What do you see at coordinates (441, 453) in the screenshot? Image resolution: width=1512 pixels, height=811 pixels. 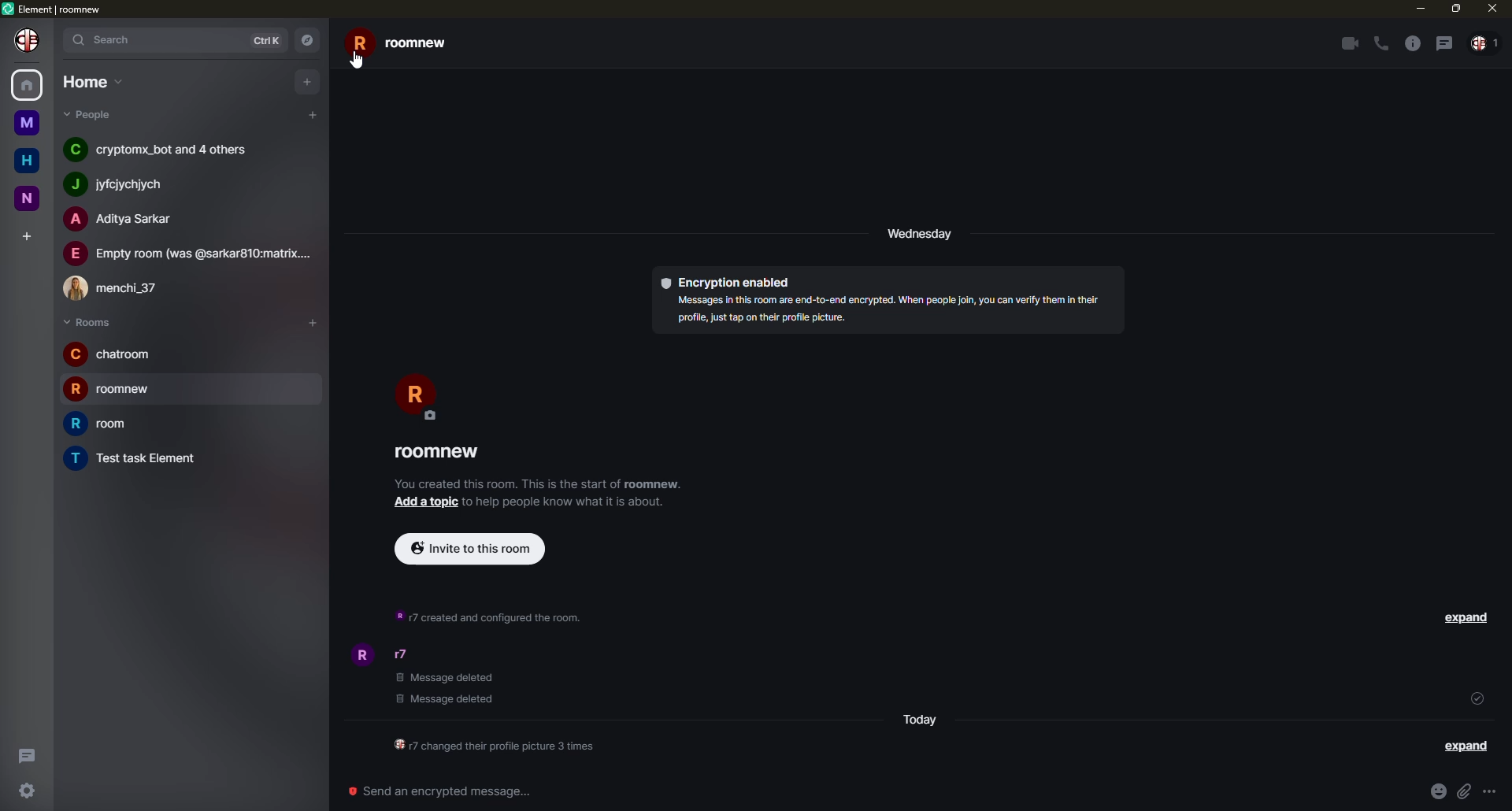 I see `room` at bounding box center [441, 453].